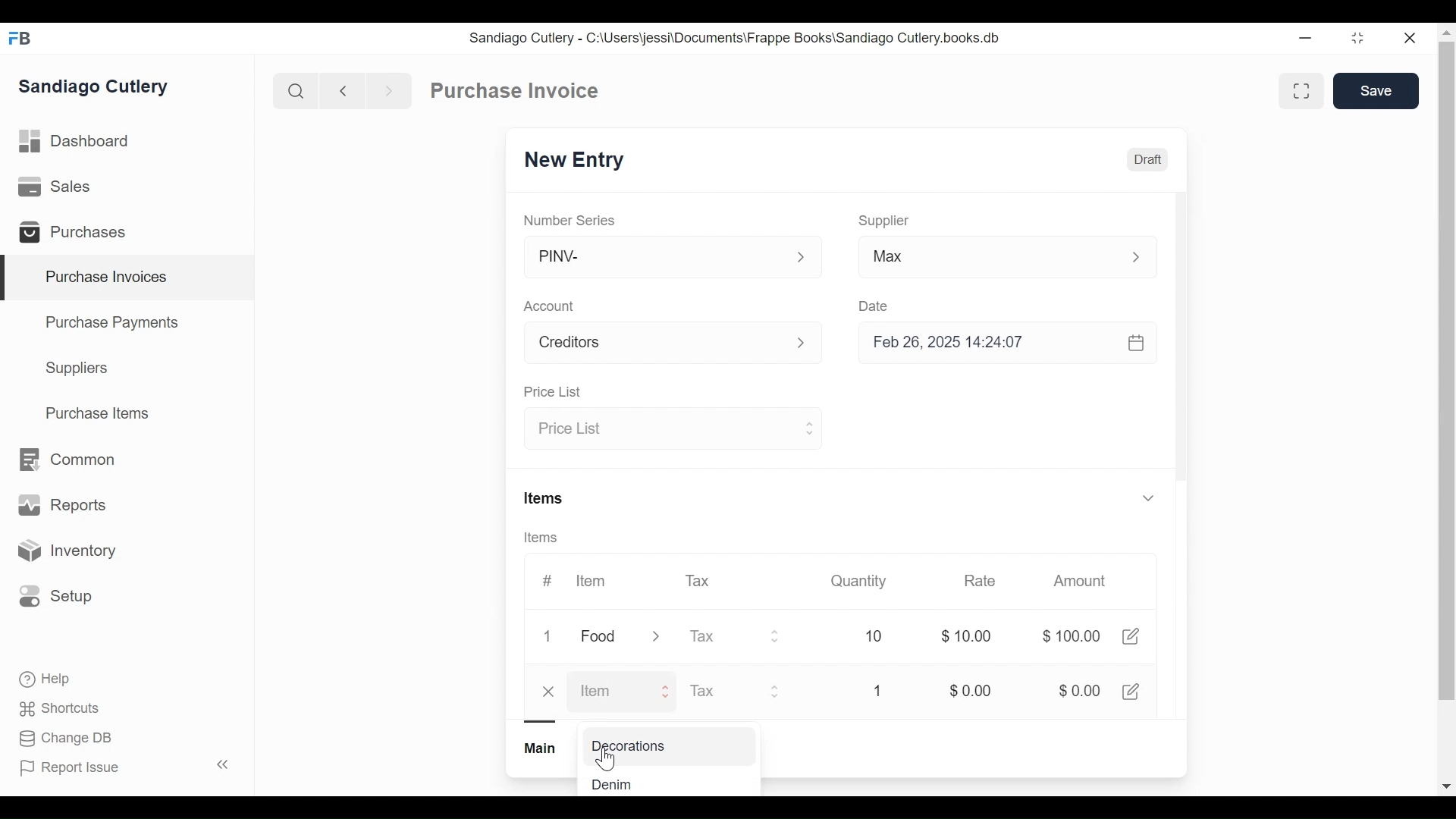 The width and height of the screenshot is (1456, 819). Describe the element at coordinates (549, 638) in the screenshot. I see `1` at that location.